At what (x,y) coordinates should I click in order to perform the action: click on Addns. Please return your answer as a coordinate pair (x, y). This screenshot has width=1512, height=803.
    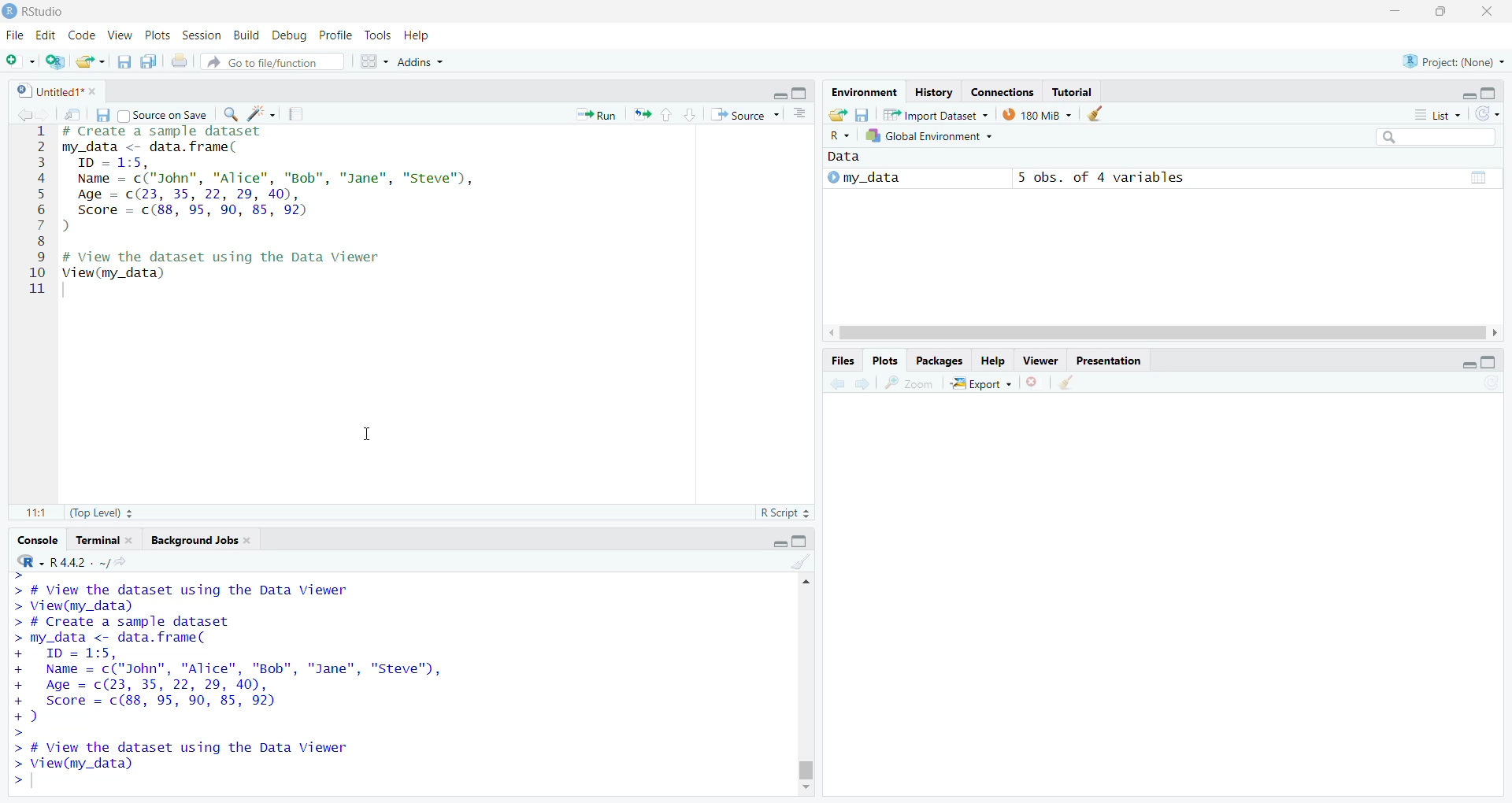
    Looking at the image, I should click on (424, 63).